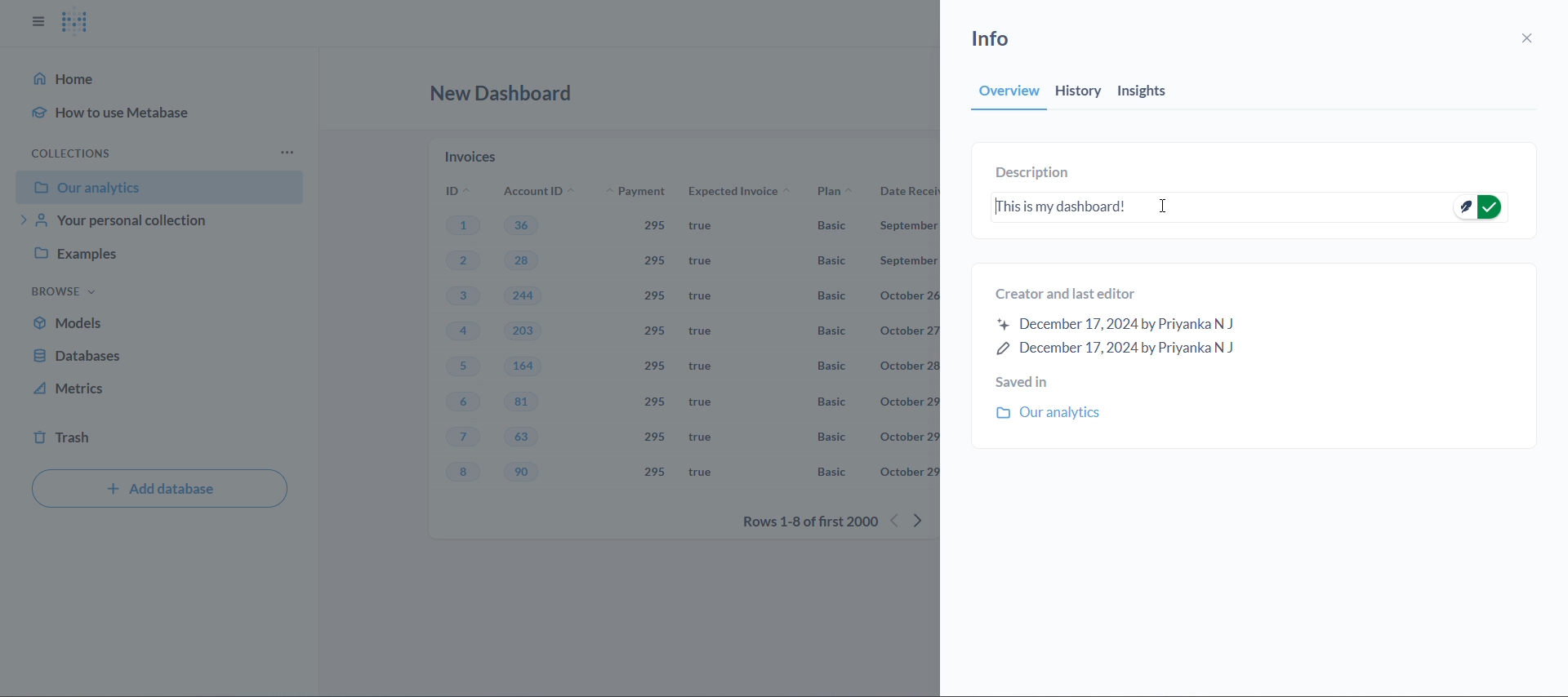  I want to click on october 27, so click(909, 332).